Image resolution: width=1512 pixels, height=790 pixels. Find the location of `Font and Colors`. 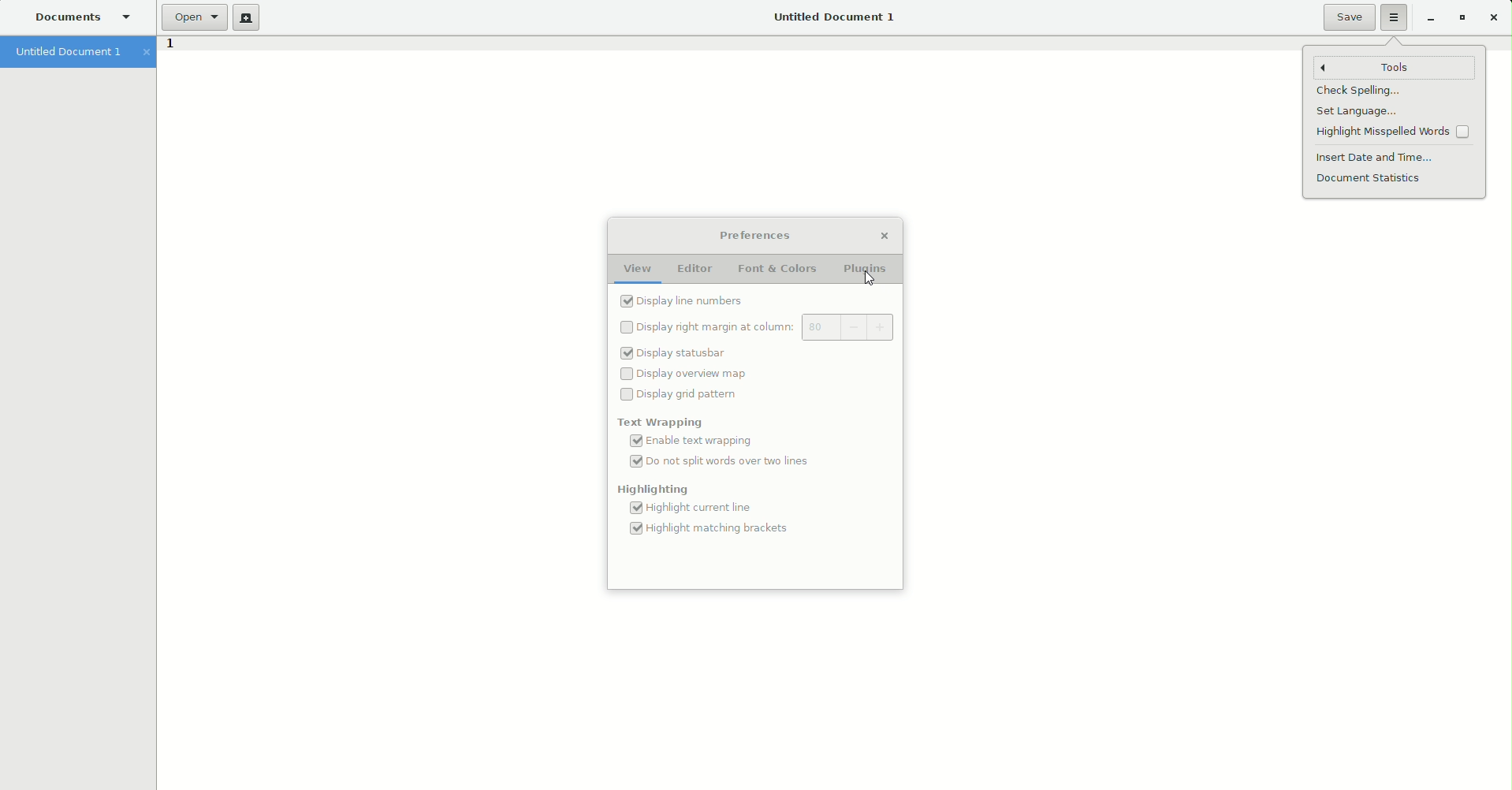

Font and Colors is located at coordinates (780, 270).